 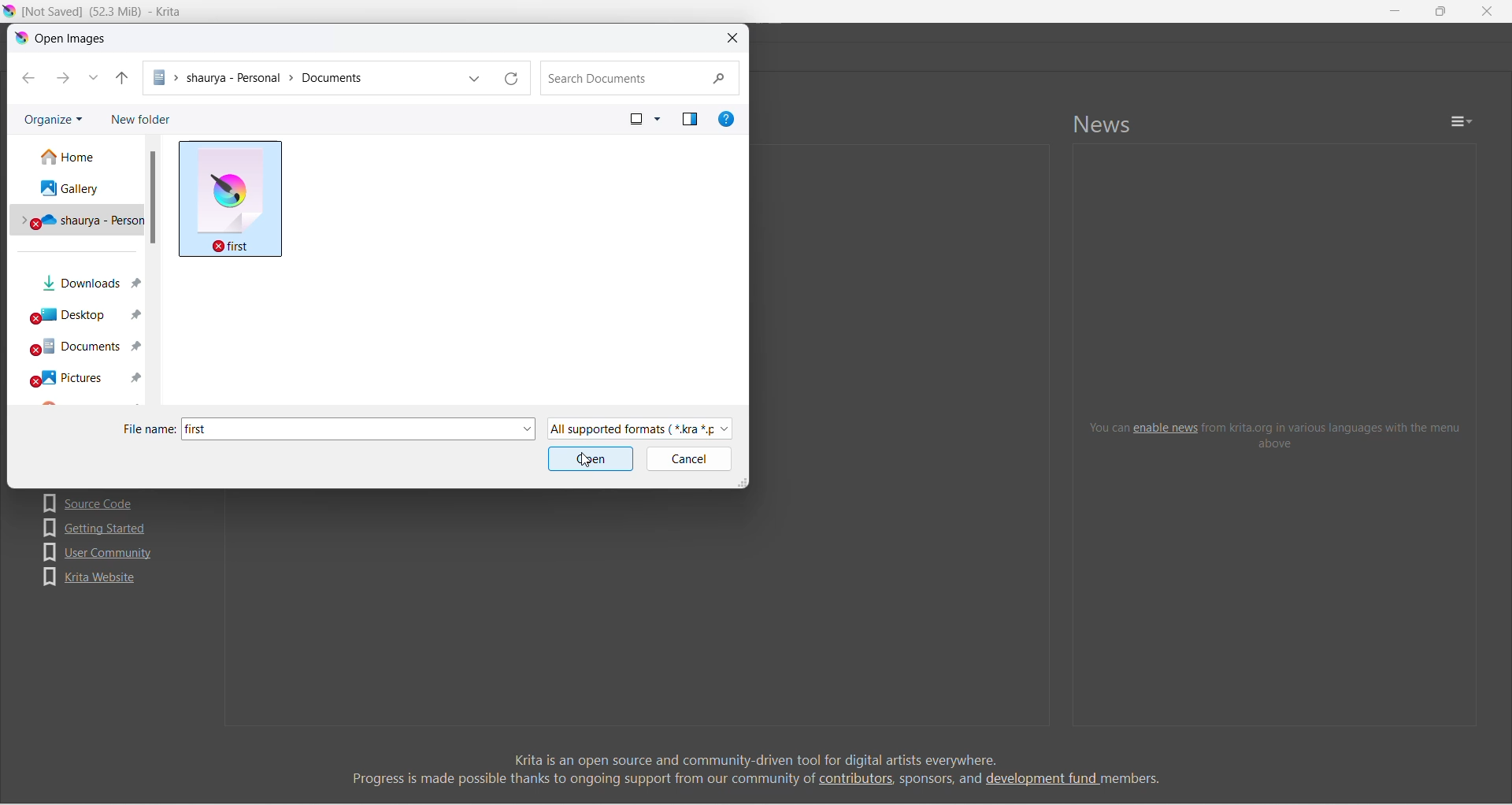 What do you see at coordinates (1277, 434) in the screenshot?
I see `instructions related enabling news` at bounding box center [1277, 434].